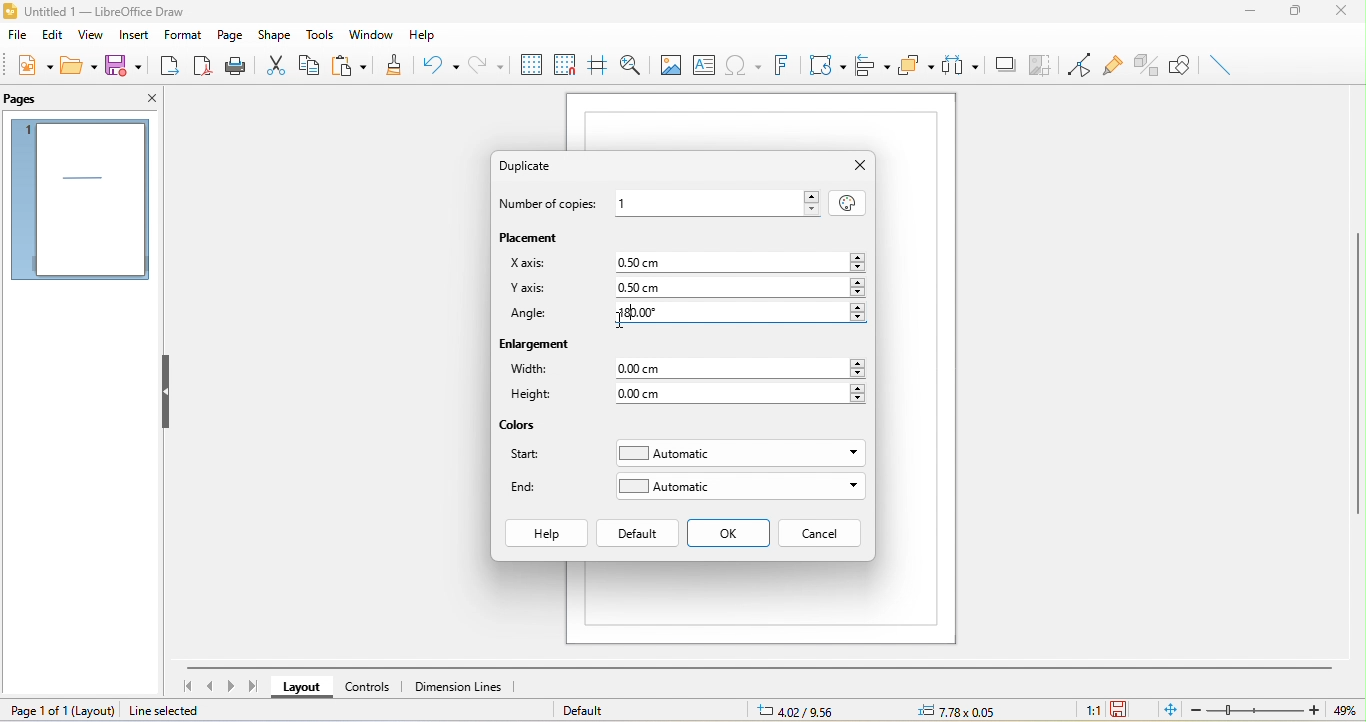 The height and width of the screenshot is (722, 1366). Describe the element at coordinates (1345, 13) in the screenshot. I see `close` at that location.